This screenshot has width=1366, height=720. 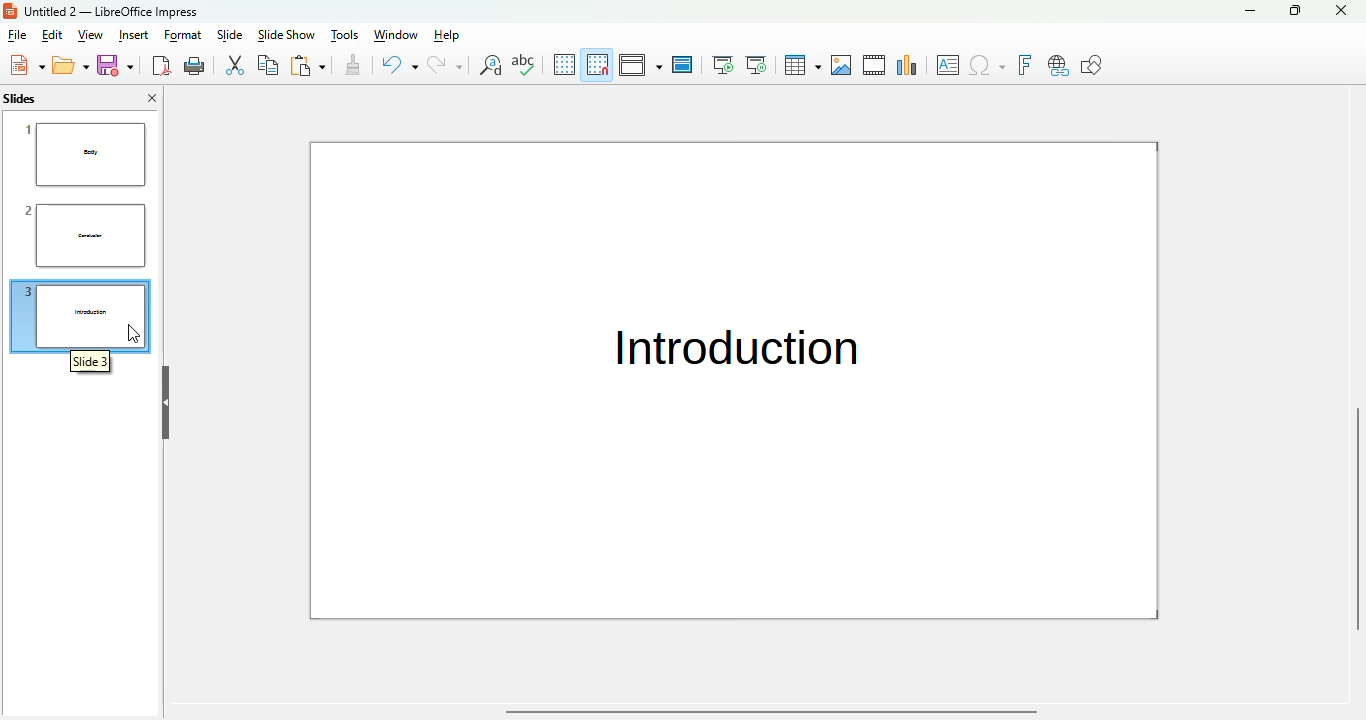 What do you see at coordinates (230, 35) in the screenshot?
I see `slide` at bounding box center [230, 35].